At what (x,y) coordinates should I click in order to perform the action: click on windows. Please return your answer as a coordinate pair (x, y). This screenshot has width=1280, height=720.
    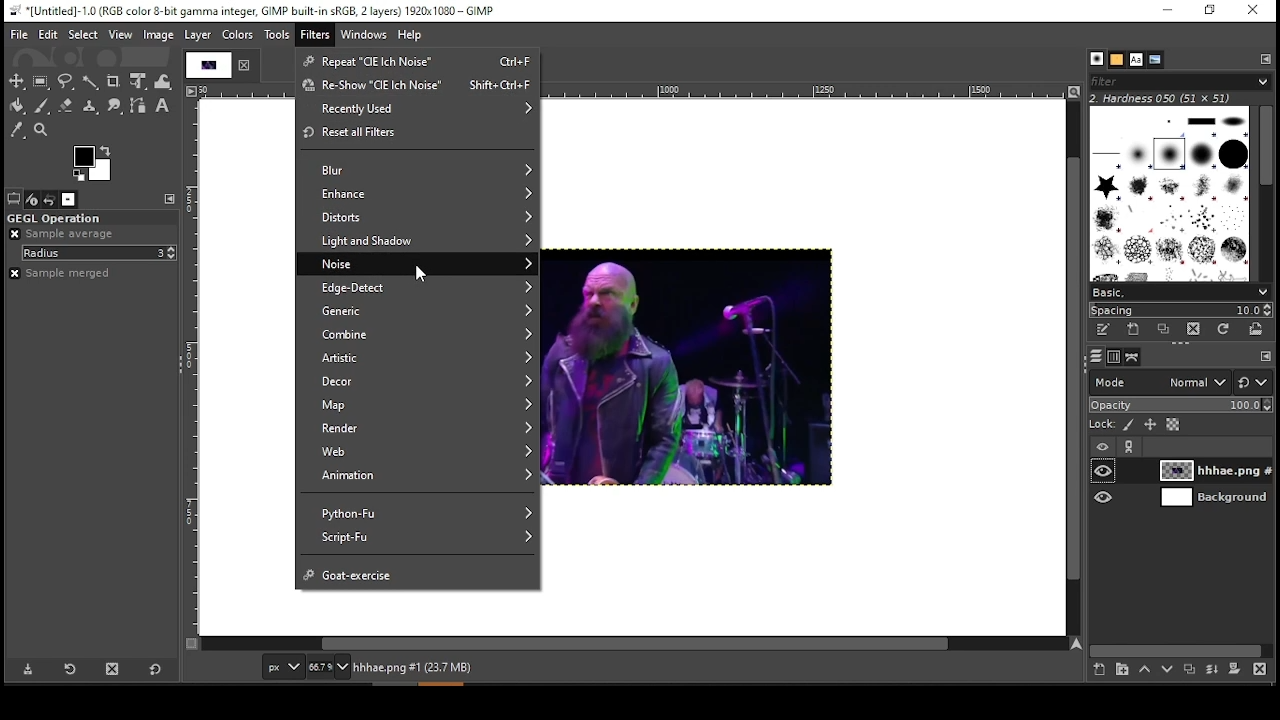
    Looking at the image, I should click on (365, 34).